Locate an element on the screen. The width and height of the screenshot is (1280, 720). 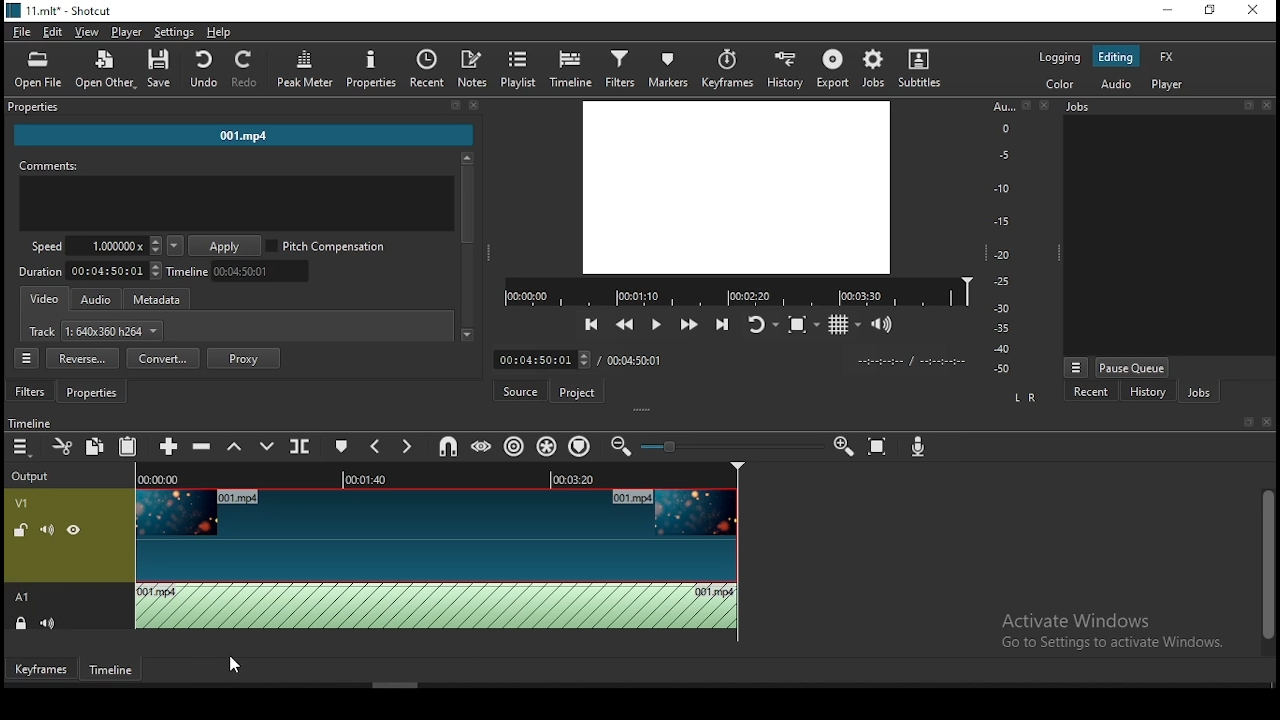
fx is located at coordinates (1167, 57).